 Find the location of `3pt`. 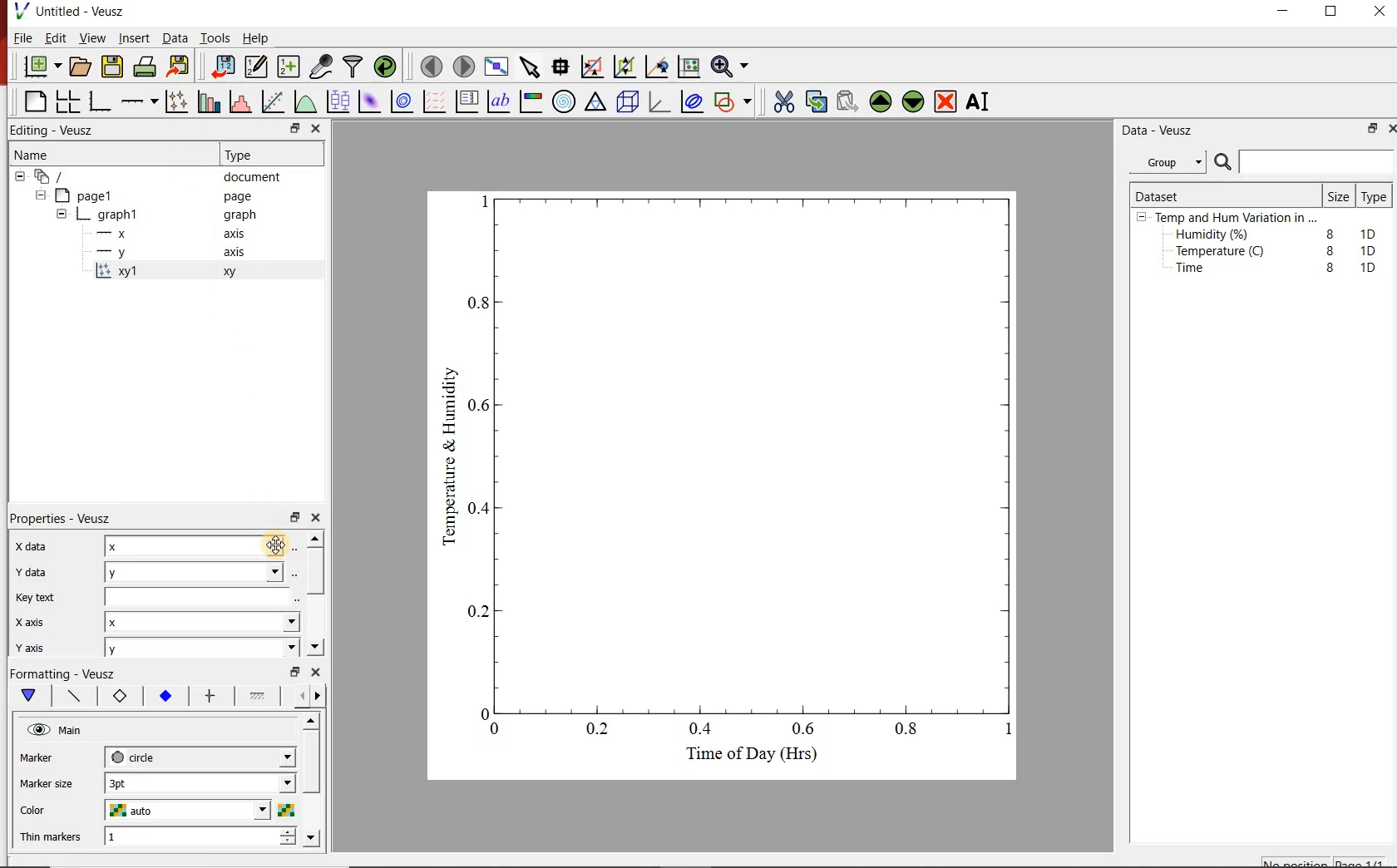

3pt is located at coordinates (137, 782).